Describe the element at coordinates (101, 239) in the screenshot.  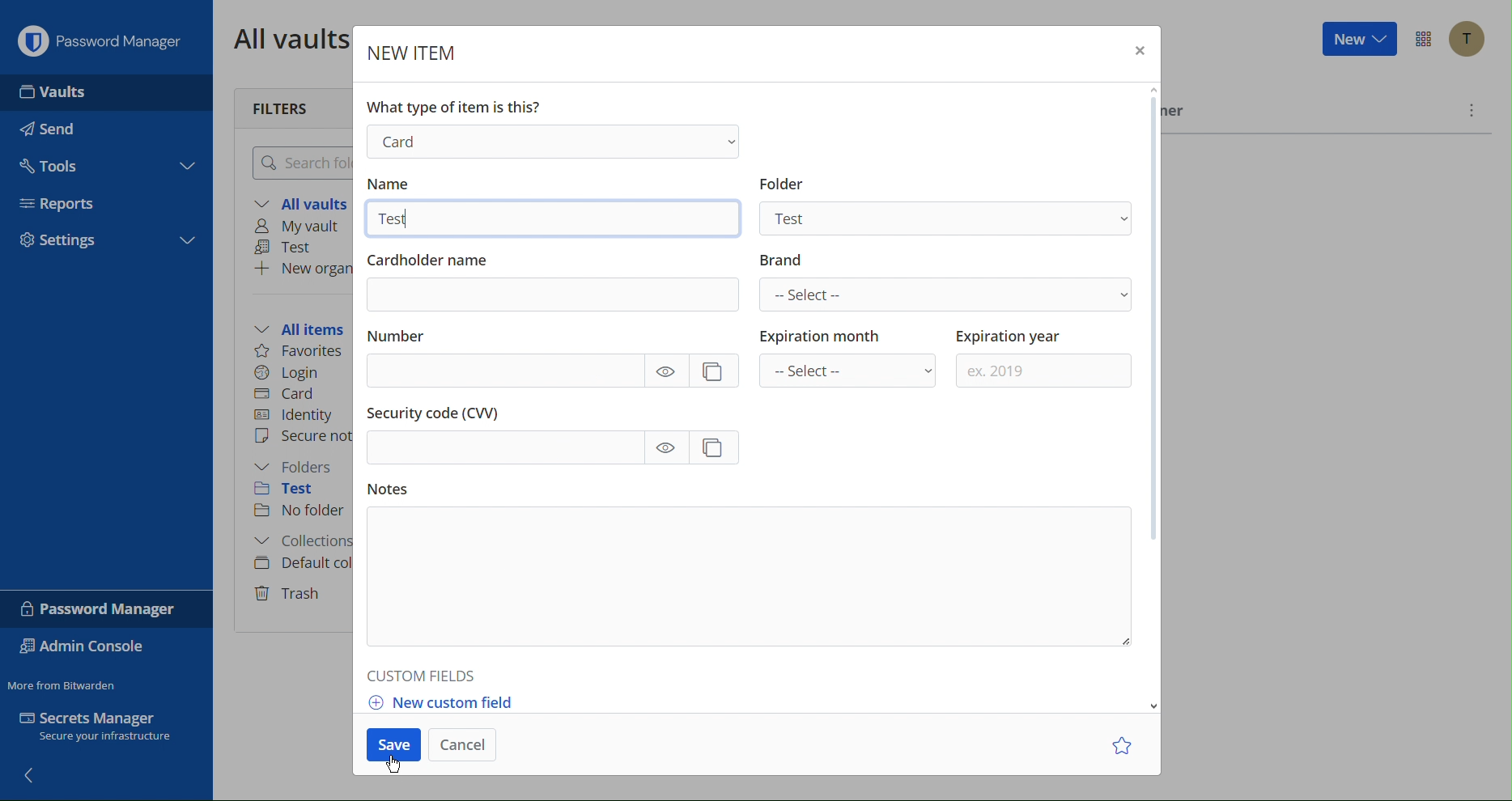
I see `Settings` at that location.